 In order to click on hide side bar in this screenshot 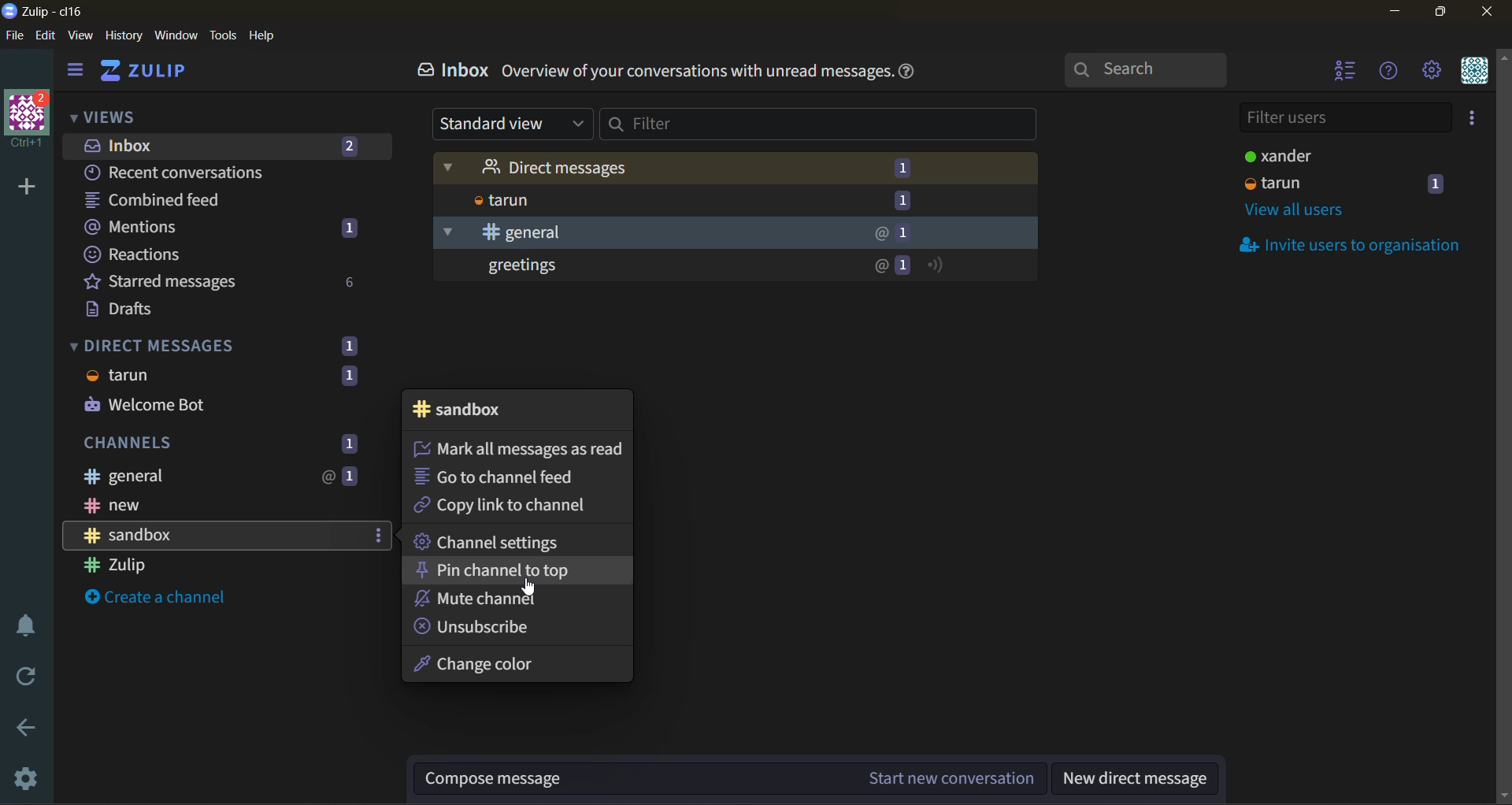, I will do `click(80, 72)`.